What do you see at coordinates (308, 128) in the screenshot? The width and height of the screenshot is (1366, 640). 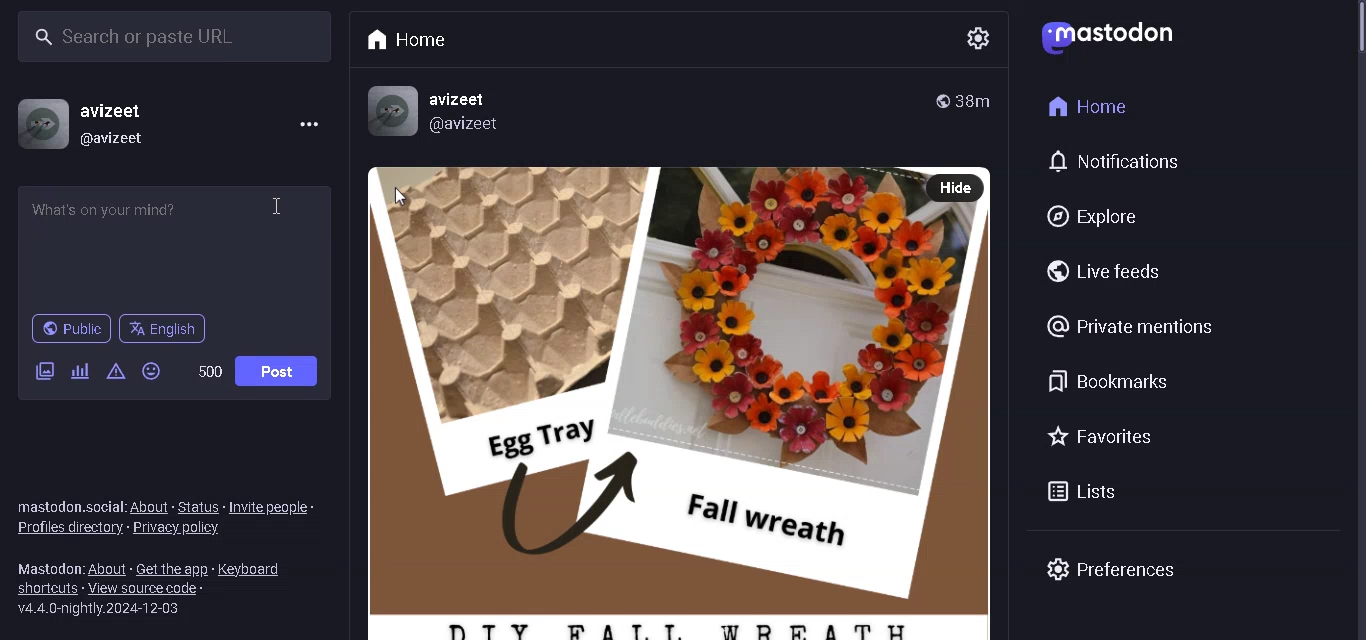 I see `menu` at bounding box center [308, 128].